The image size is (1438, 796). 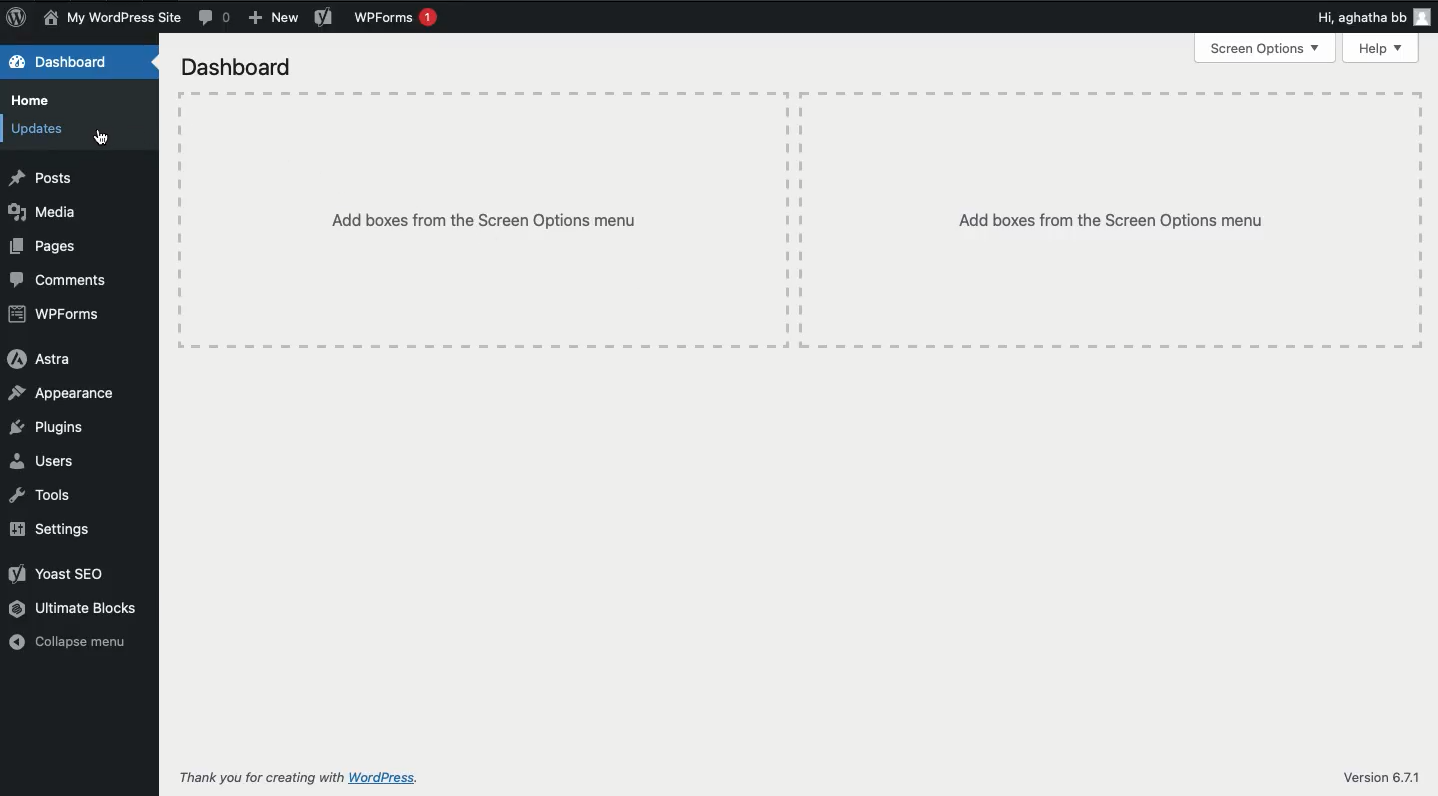 I want to click on Comment, so click(x=214, y=17).